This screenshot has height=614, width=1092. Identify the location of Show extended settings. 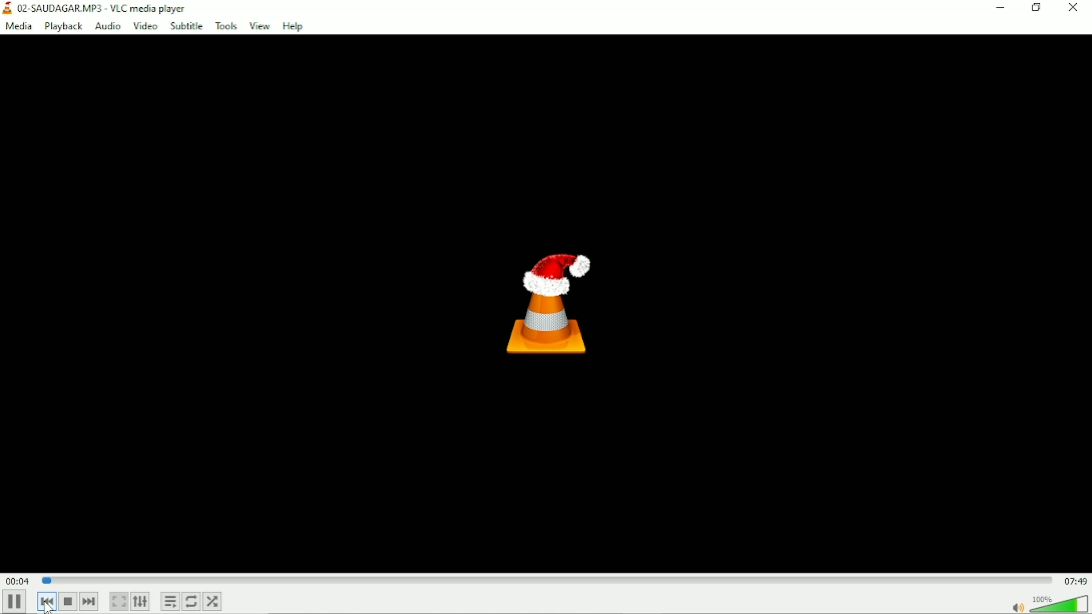
(142, 601).